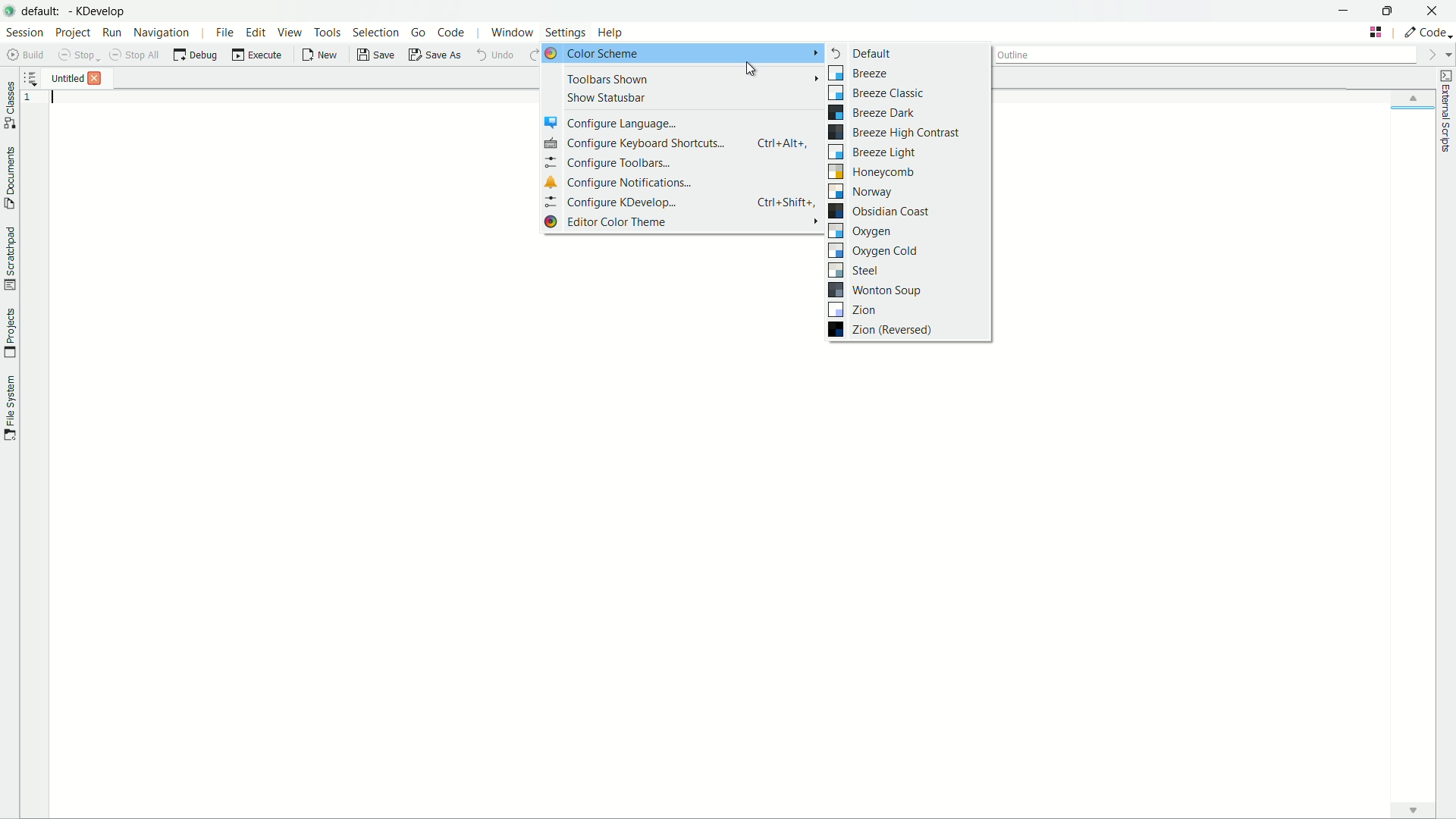 This screenshot has width=1456, height=819. What do you see at coordinates (77, 55) in the screenshot?
I see `stop` at bounding box center [77, 55].